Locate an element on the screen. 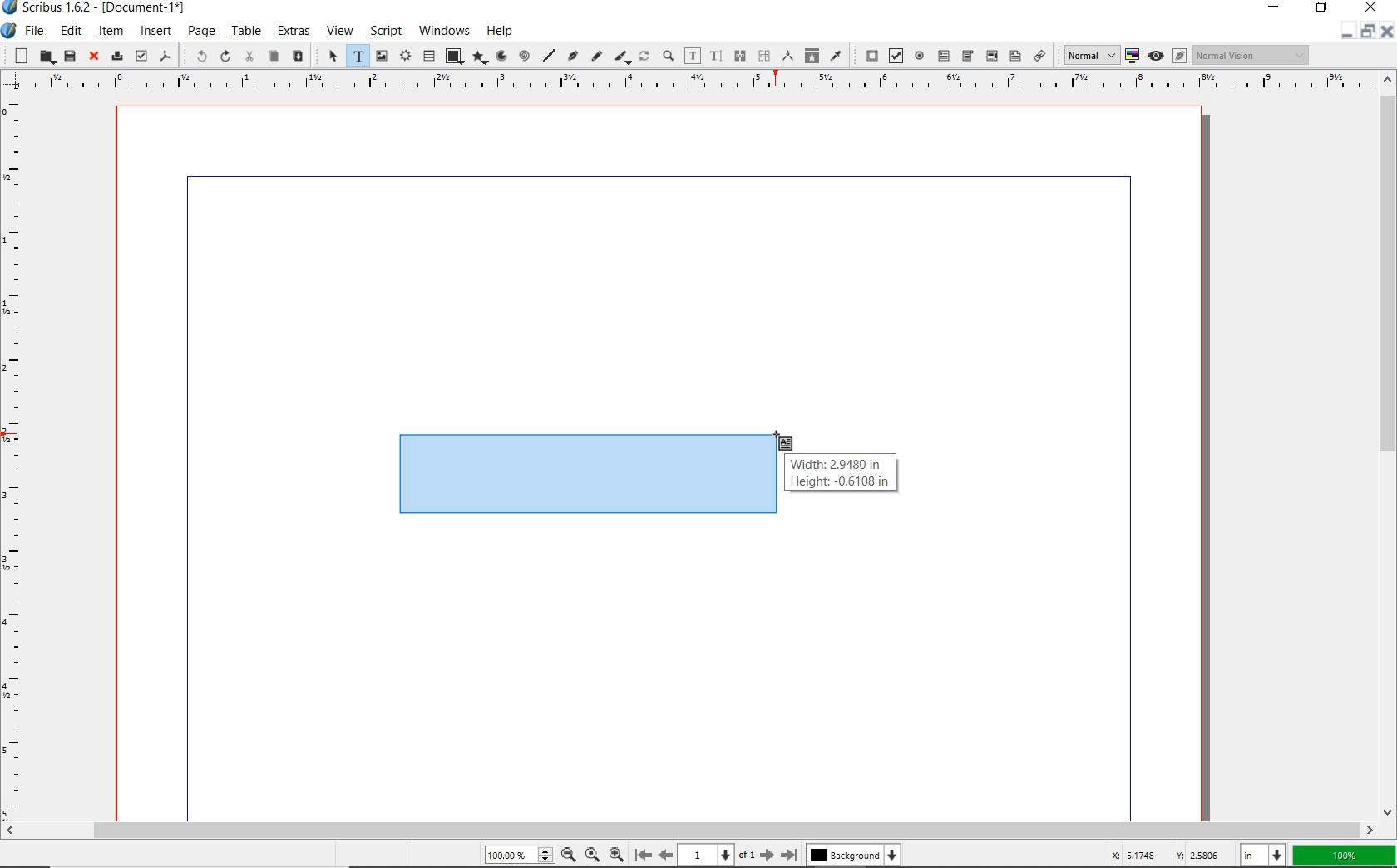 The image size is (1397, 868). view is located at coordinates (338, 33).